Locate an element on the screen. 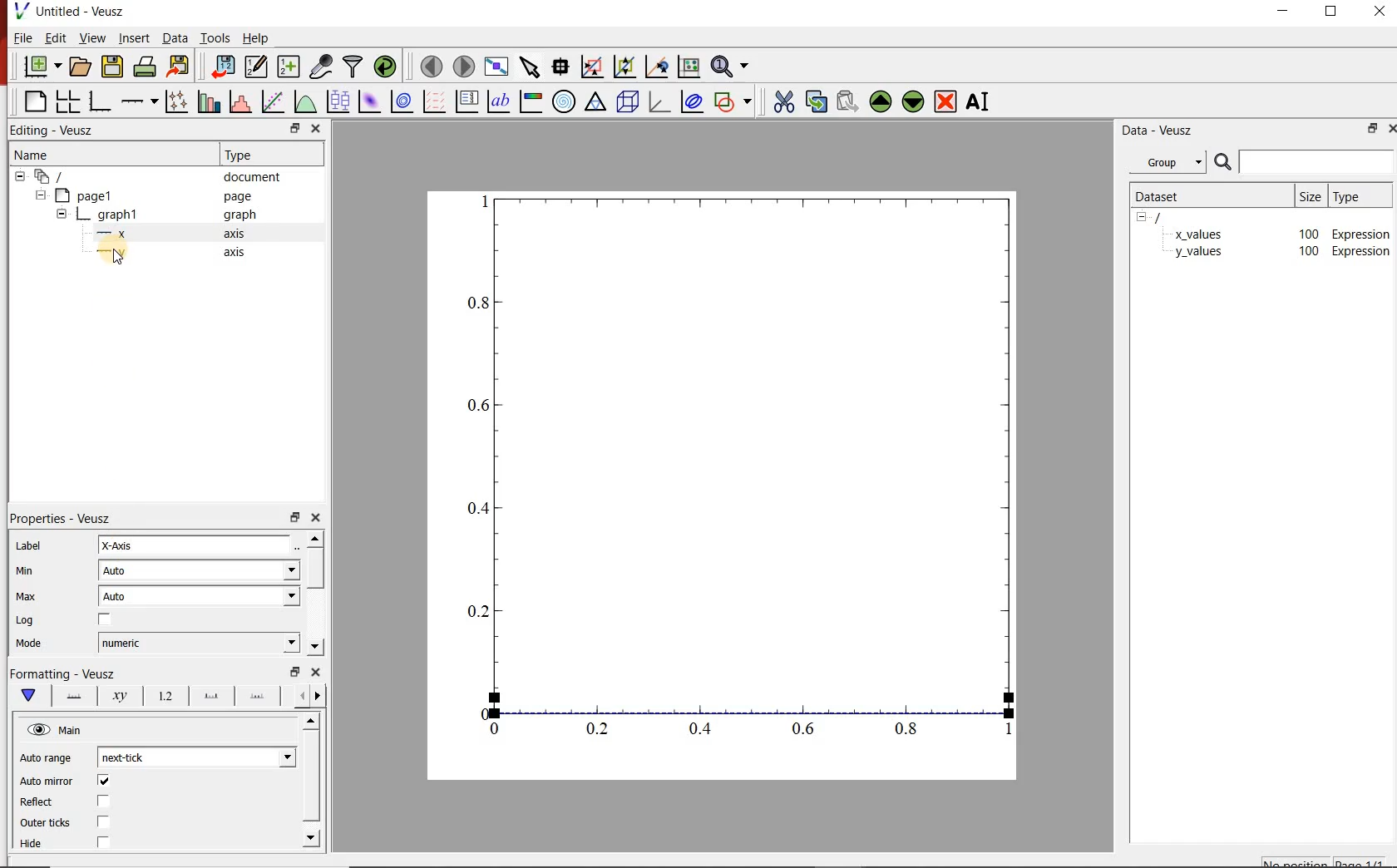 The image size is (1397, 868). click or draw a rectangle to zoom on graph axes is located at coordinates (592, 67).